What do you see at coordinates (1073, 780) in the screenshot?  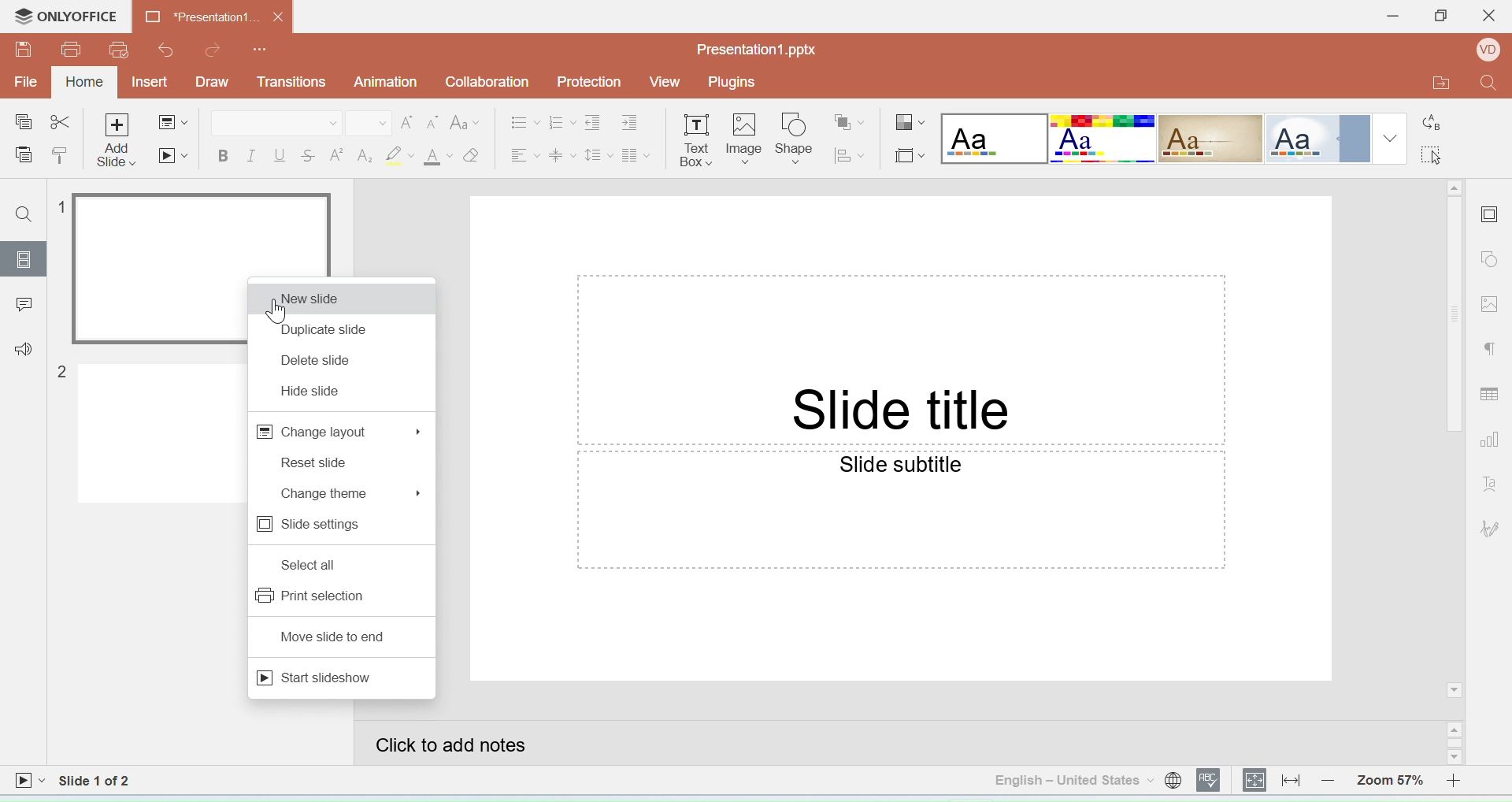 I see `Set text language` at bounding box center [1073, 780].